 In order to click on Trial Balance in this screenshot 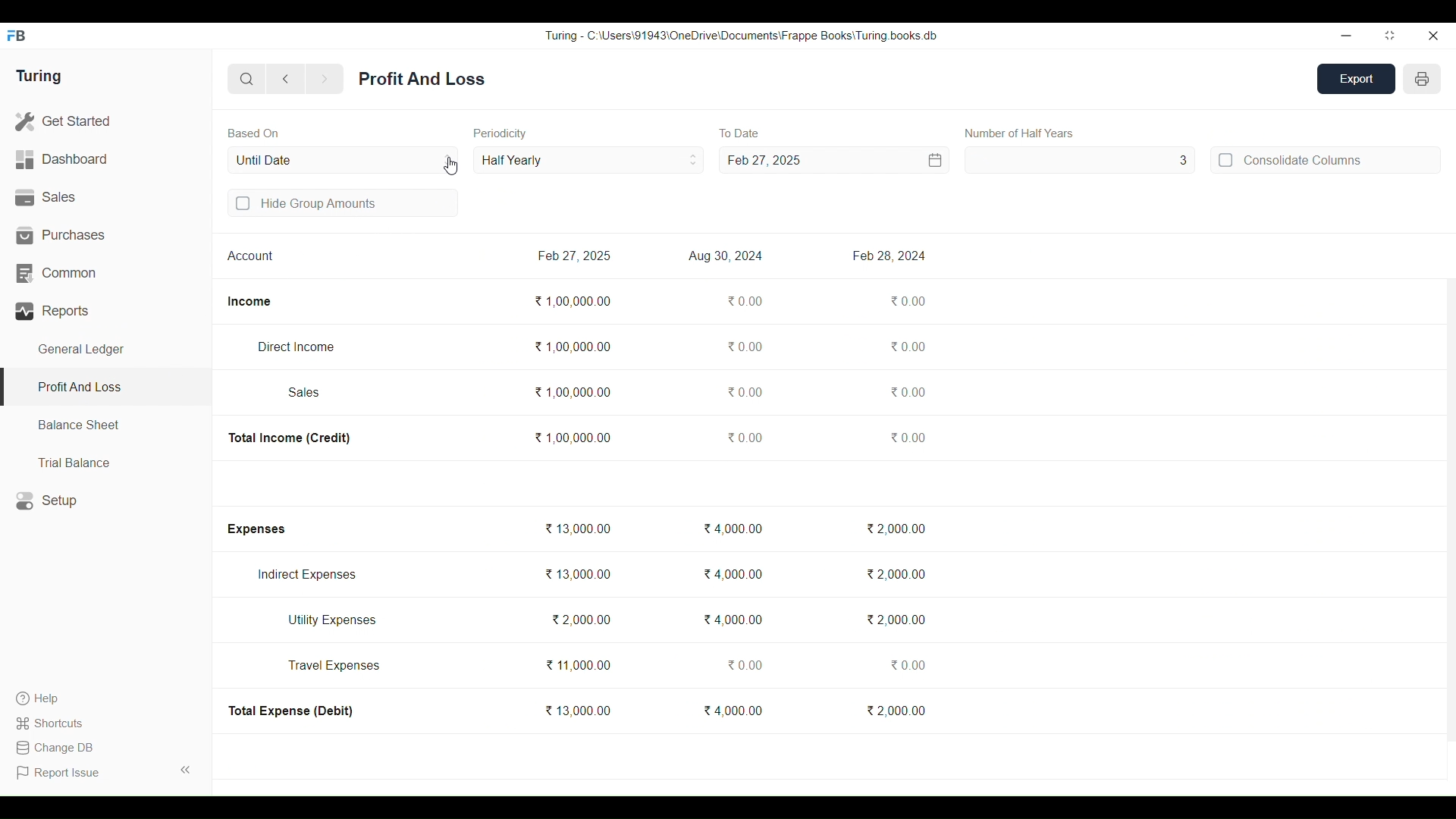, I will do `click(106, 462)`.